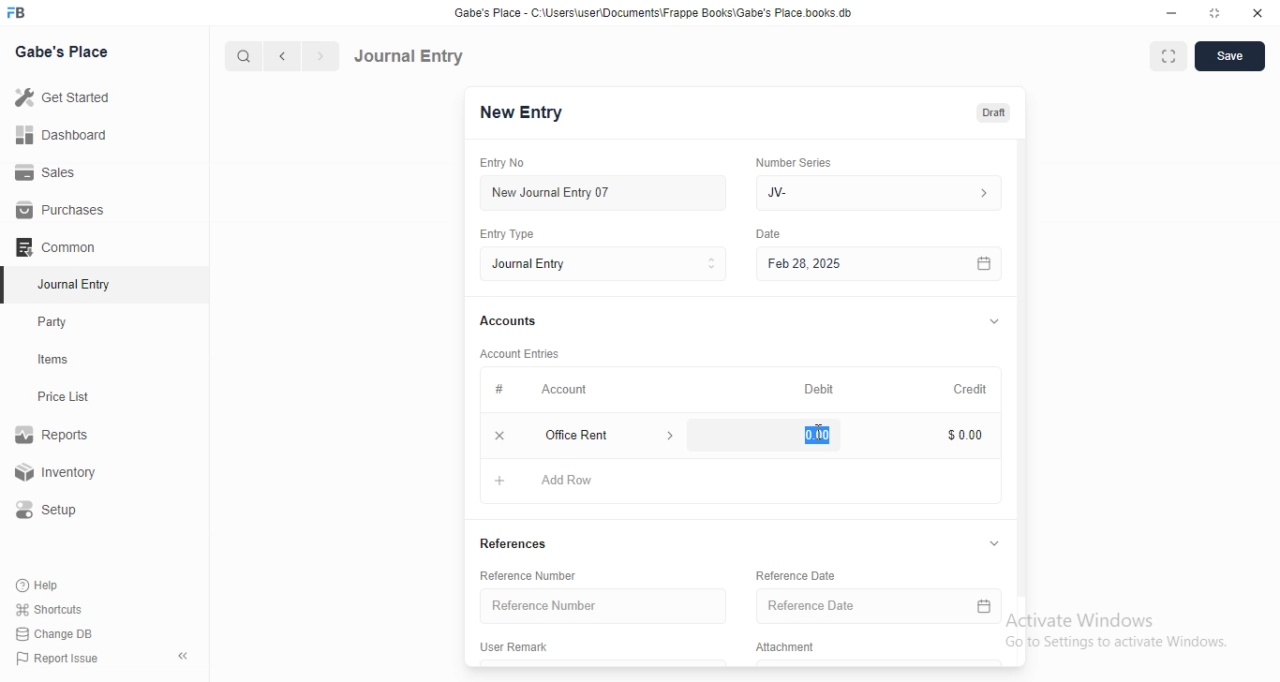  What do you see at coordinates (59, 474) in the screenshot?
I see `Inventory` at bounding box center [59, 474].